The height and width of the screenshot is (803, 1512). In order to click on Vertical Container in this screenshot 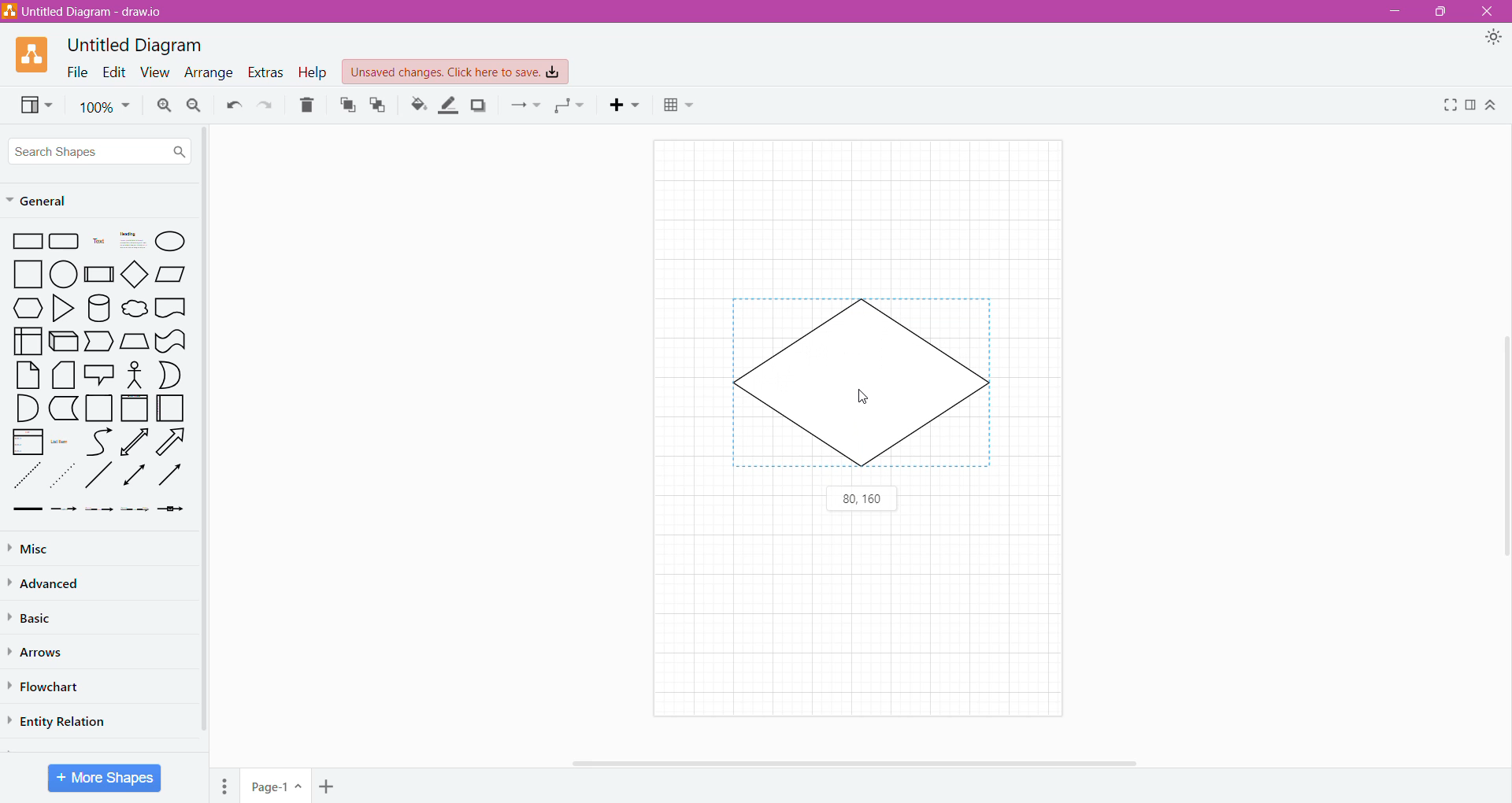, I will do `click(134, 409)`.